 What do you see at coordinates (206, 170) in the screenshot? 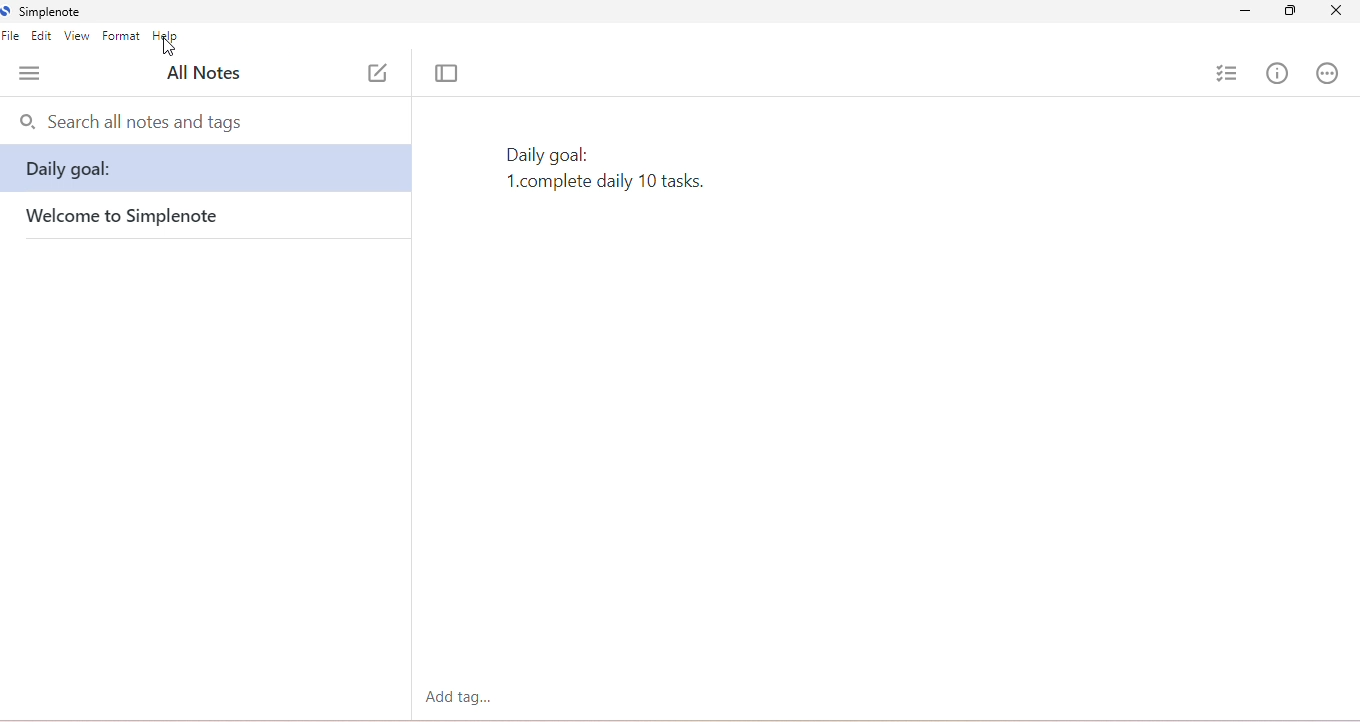
I see `daily goal:` at bounding box center [206, 170].